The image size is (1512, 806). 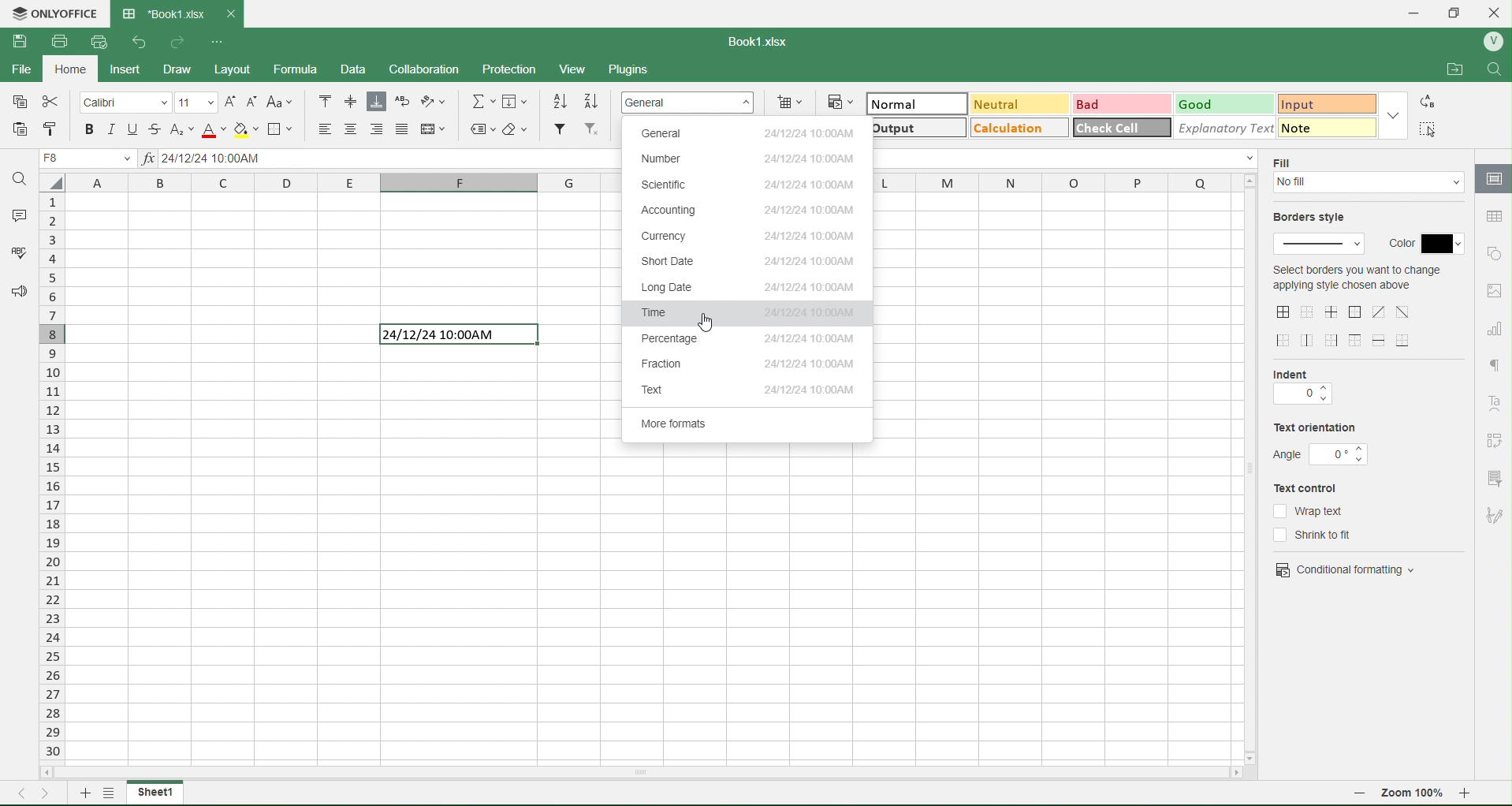 What do you see at coordinates (402, 103) in the screenshot?
I see `Wrap Text` at bounding box center [402, 103].